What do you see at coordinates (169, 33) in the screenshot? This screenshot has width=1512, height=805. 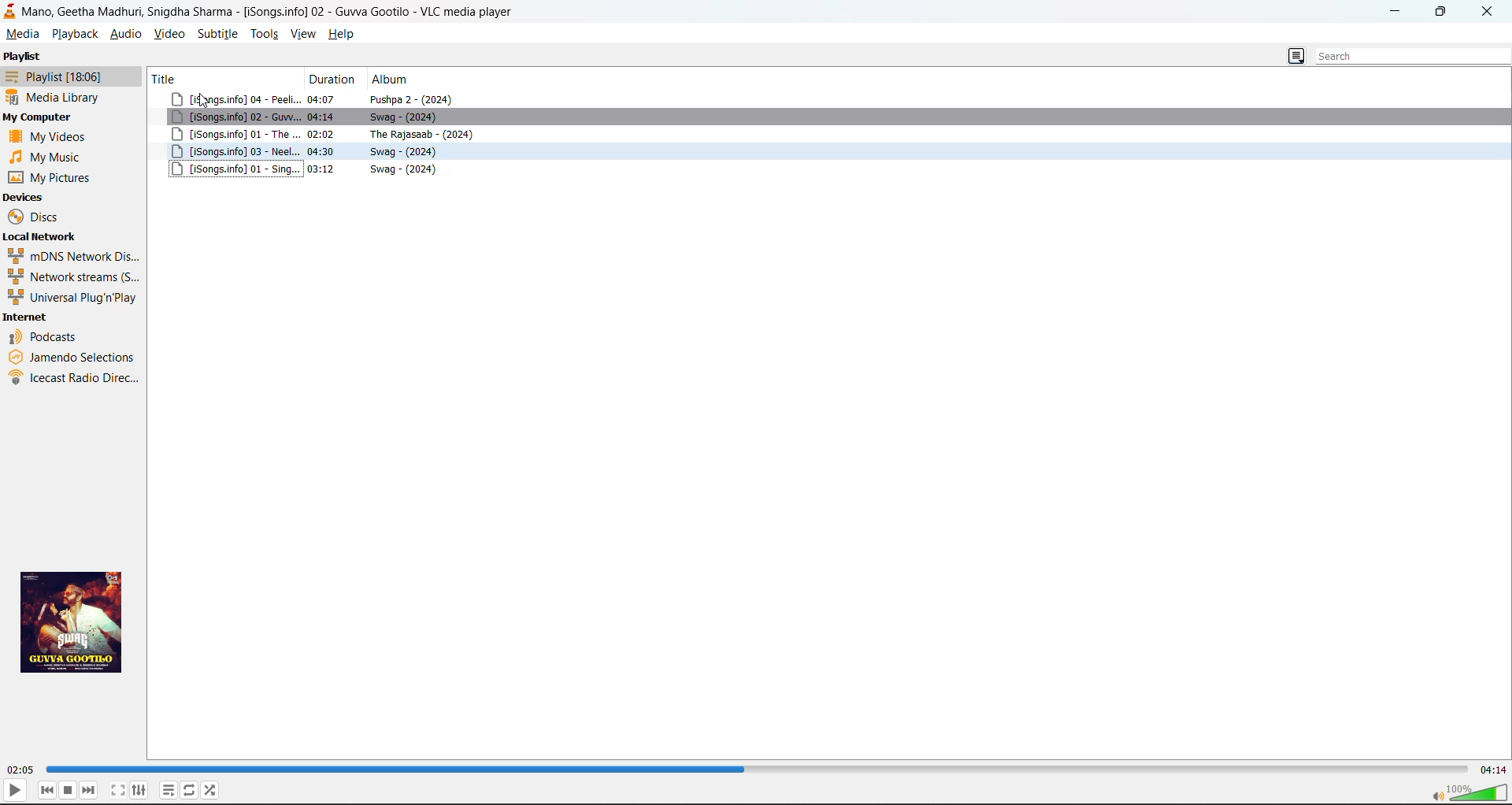 I see `video` at bounding box center [169, 33].